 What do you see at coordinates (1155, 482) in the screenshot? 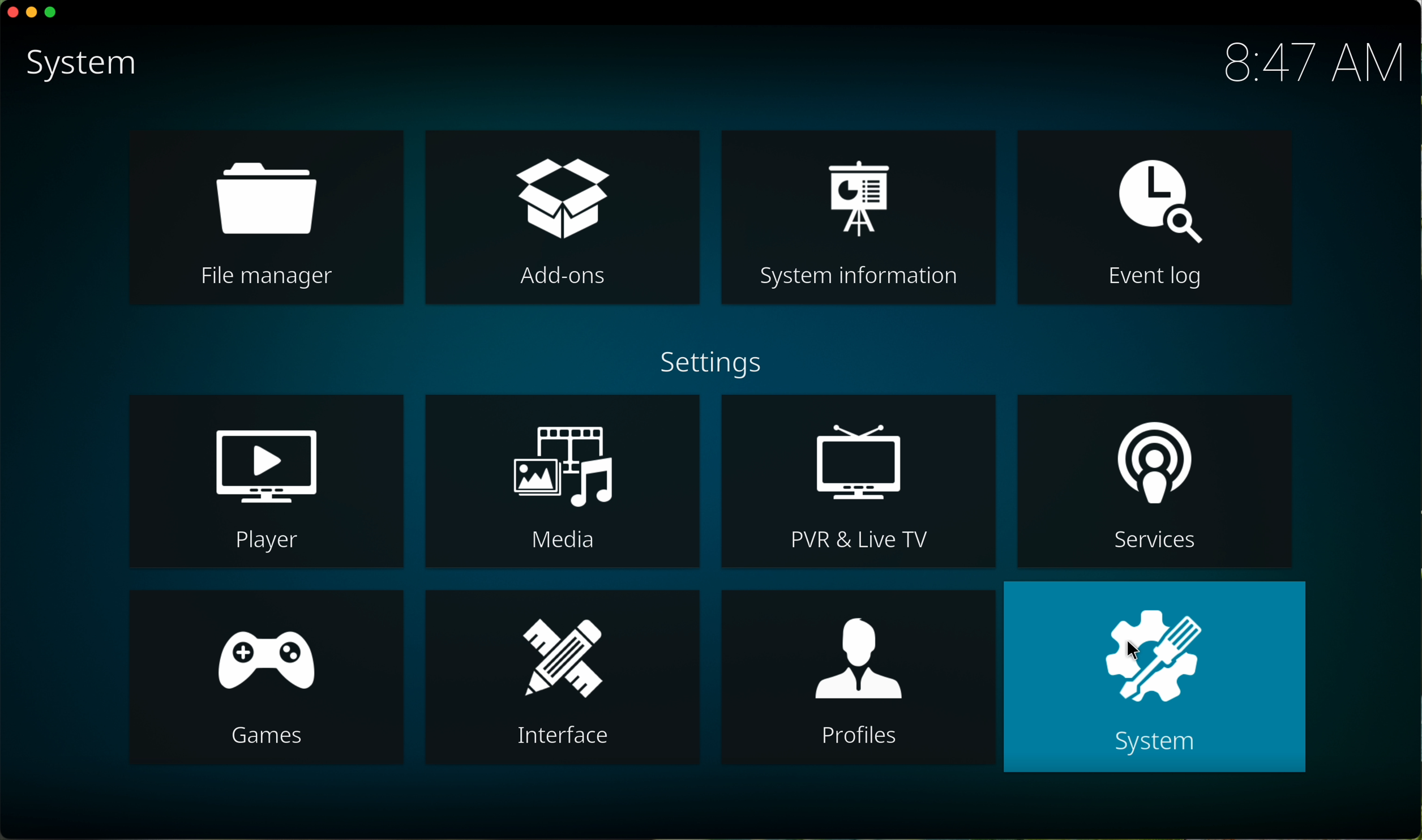
I see `services` at bounding box center [1155, 482].